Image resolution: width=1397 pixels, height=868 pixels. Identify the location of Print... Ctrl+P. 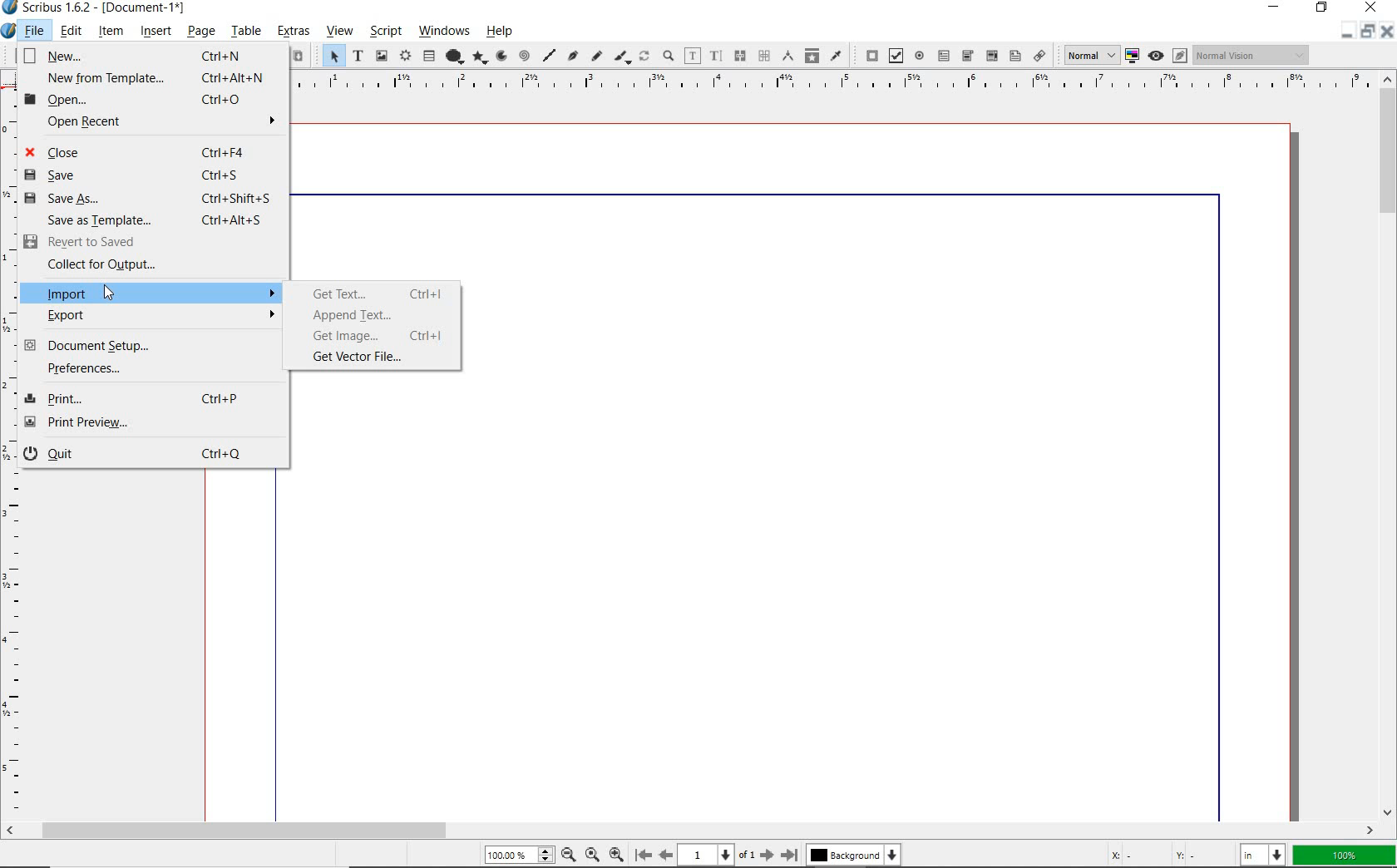
(150, 399).